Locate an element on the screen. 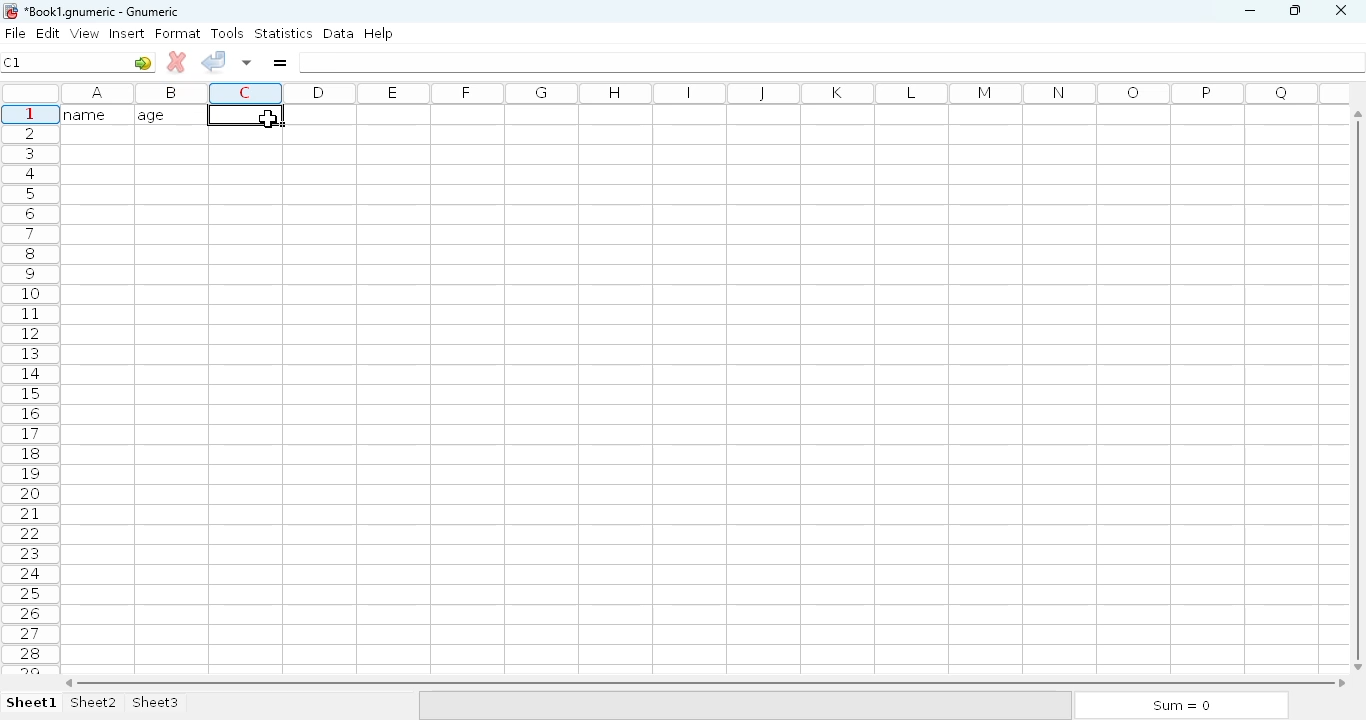  insert is located at coordinates (127, 33).